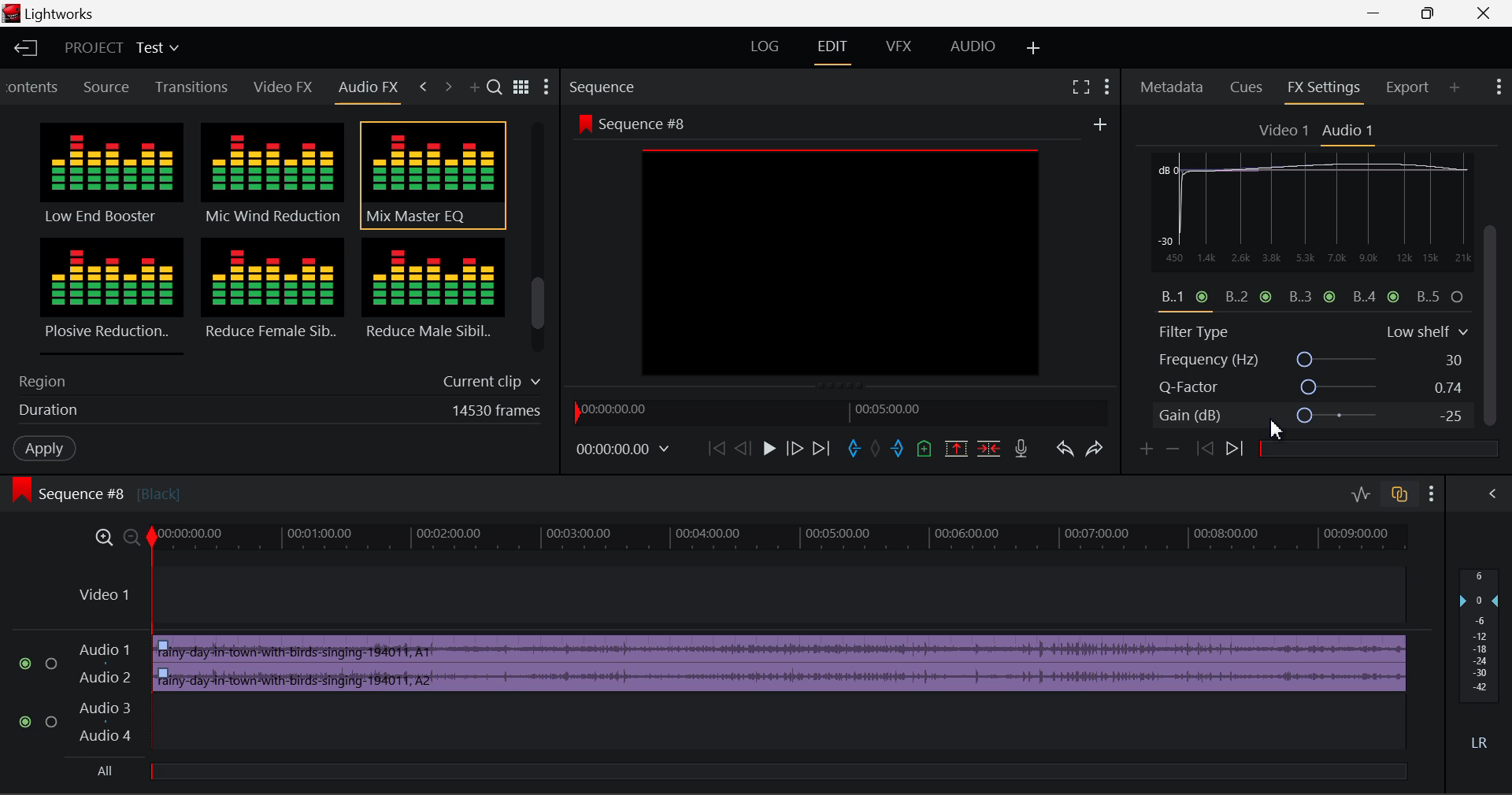 Image resolution: width=1512 pixels, height=795 pixels. Describe the element at coordinates (71, 14) in the screenshot. I see `Lightworks` at that location.